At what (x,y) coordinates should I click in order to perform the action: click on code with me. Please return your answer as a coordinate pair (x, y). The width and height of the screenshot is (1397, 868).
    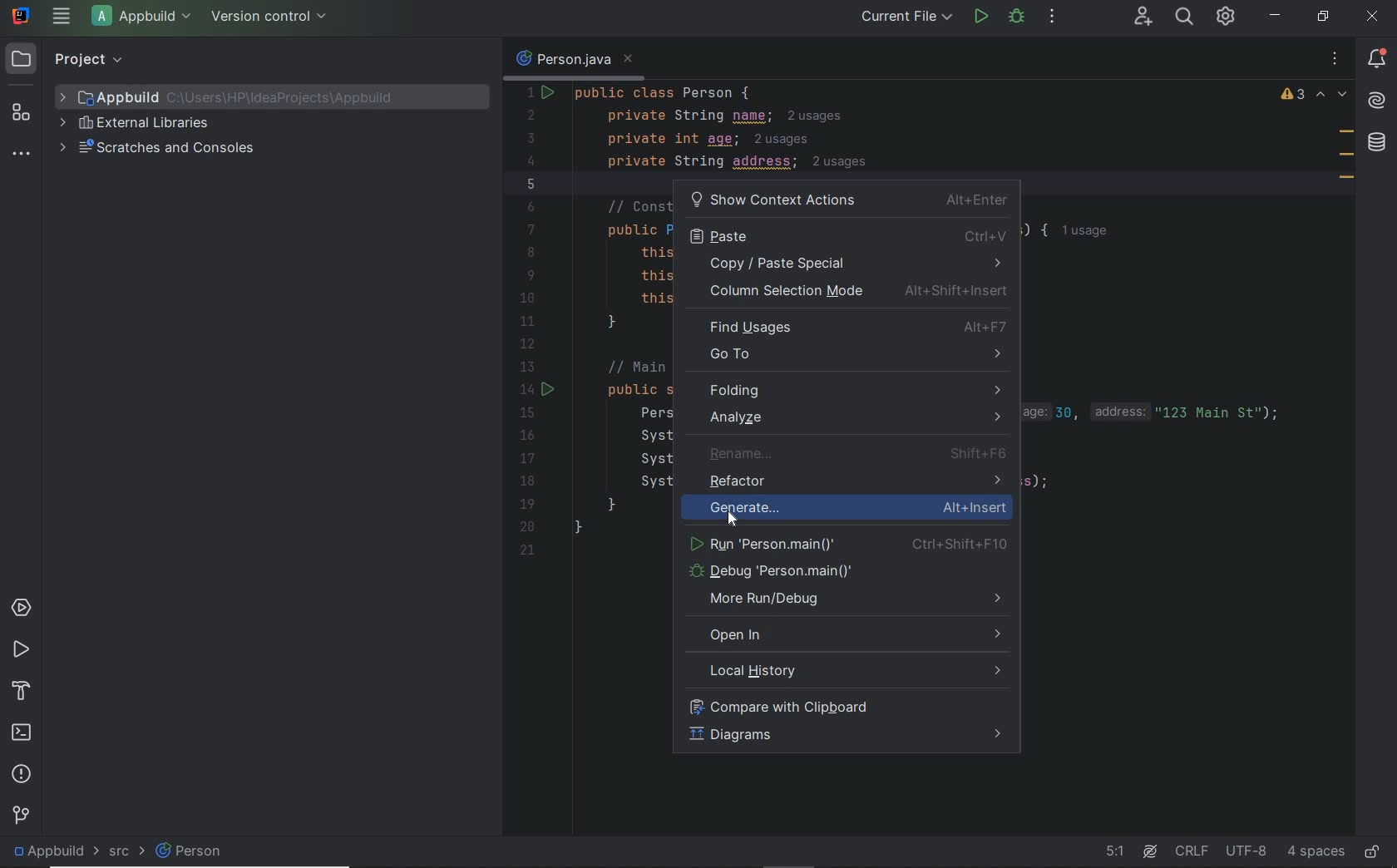
    Looking at the image, I should click on (1140, 17).